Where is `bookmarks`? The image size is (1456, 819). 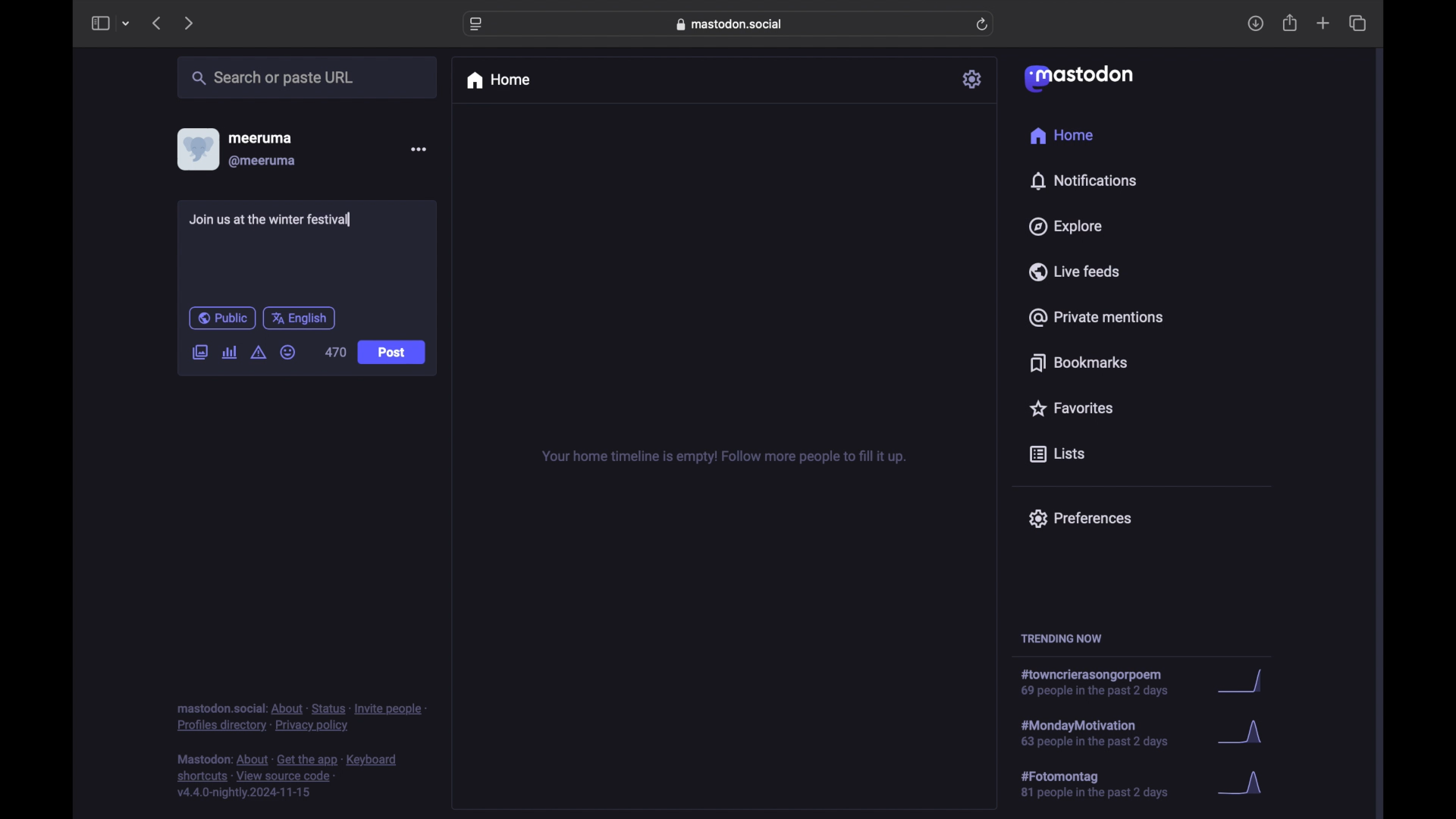 bookmarks is located at coordinates (1078, 362).